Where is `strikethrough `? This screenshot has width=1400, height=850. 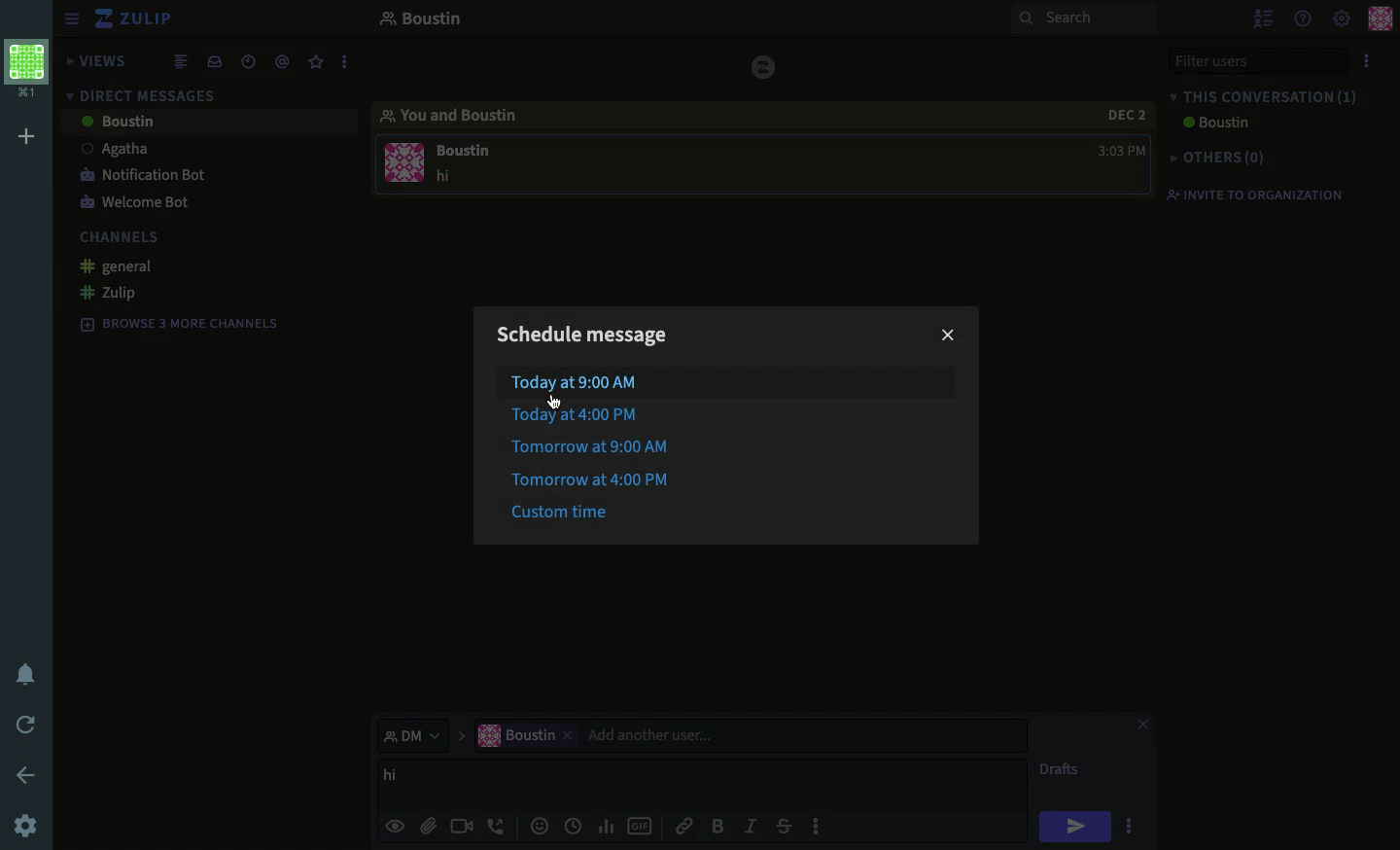
strikethrough  is located at coordinates (787, 823).